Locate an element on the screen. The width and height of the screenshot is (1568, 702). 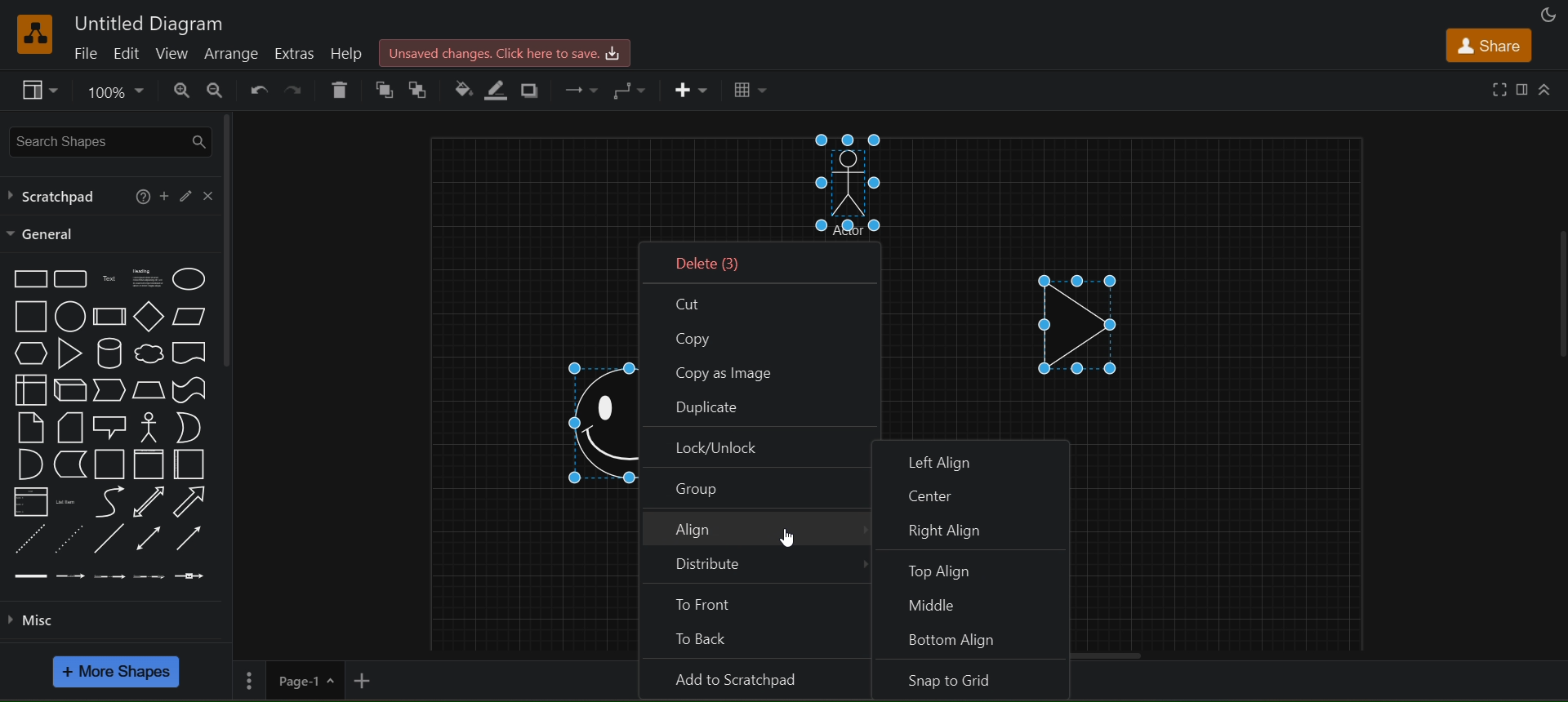
list items is located at coordinates (68, 500).